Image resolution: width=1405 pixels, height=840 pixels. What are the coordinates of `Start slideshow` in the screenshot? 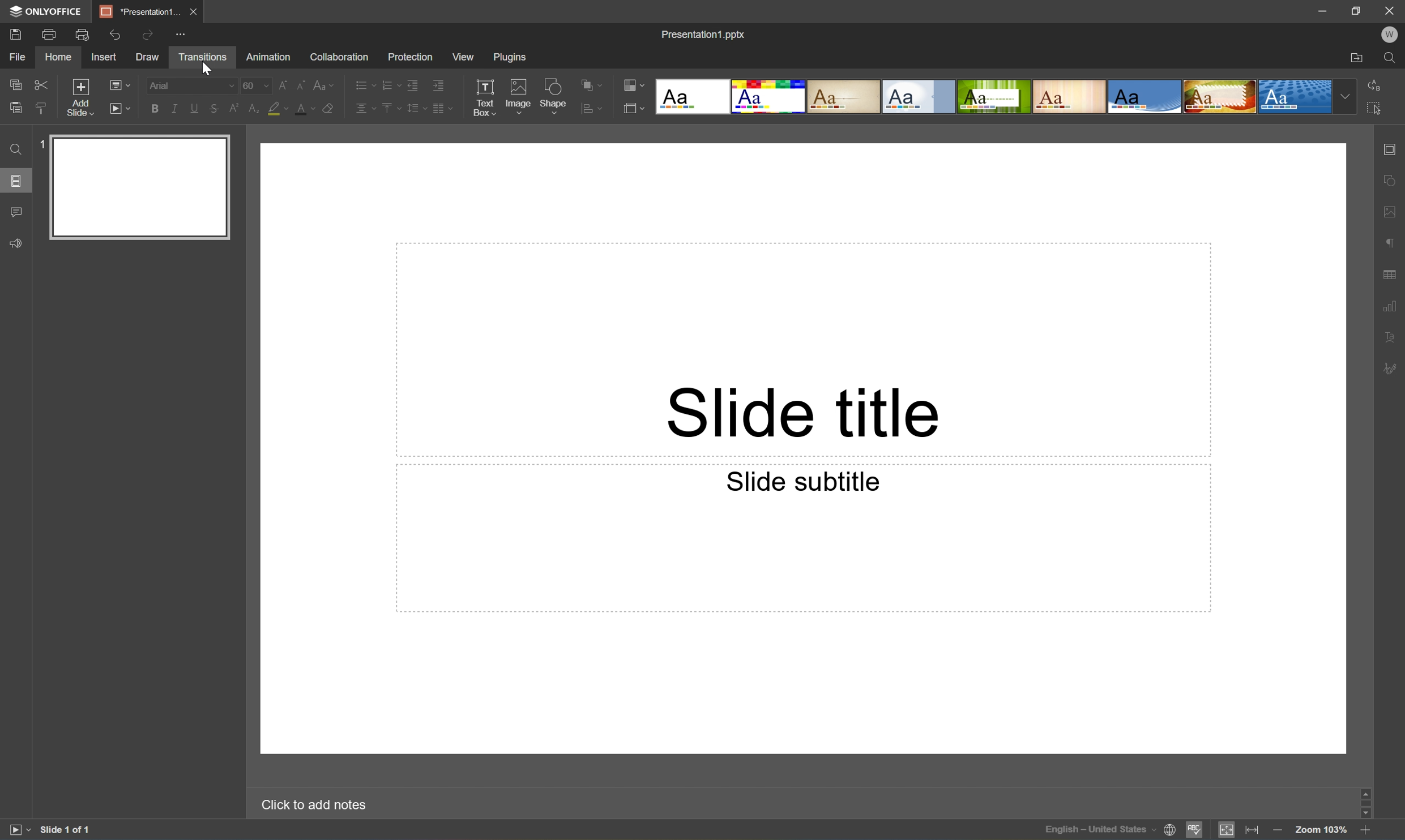 It's located at (119, 110).